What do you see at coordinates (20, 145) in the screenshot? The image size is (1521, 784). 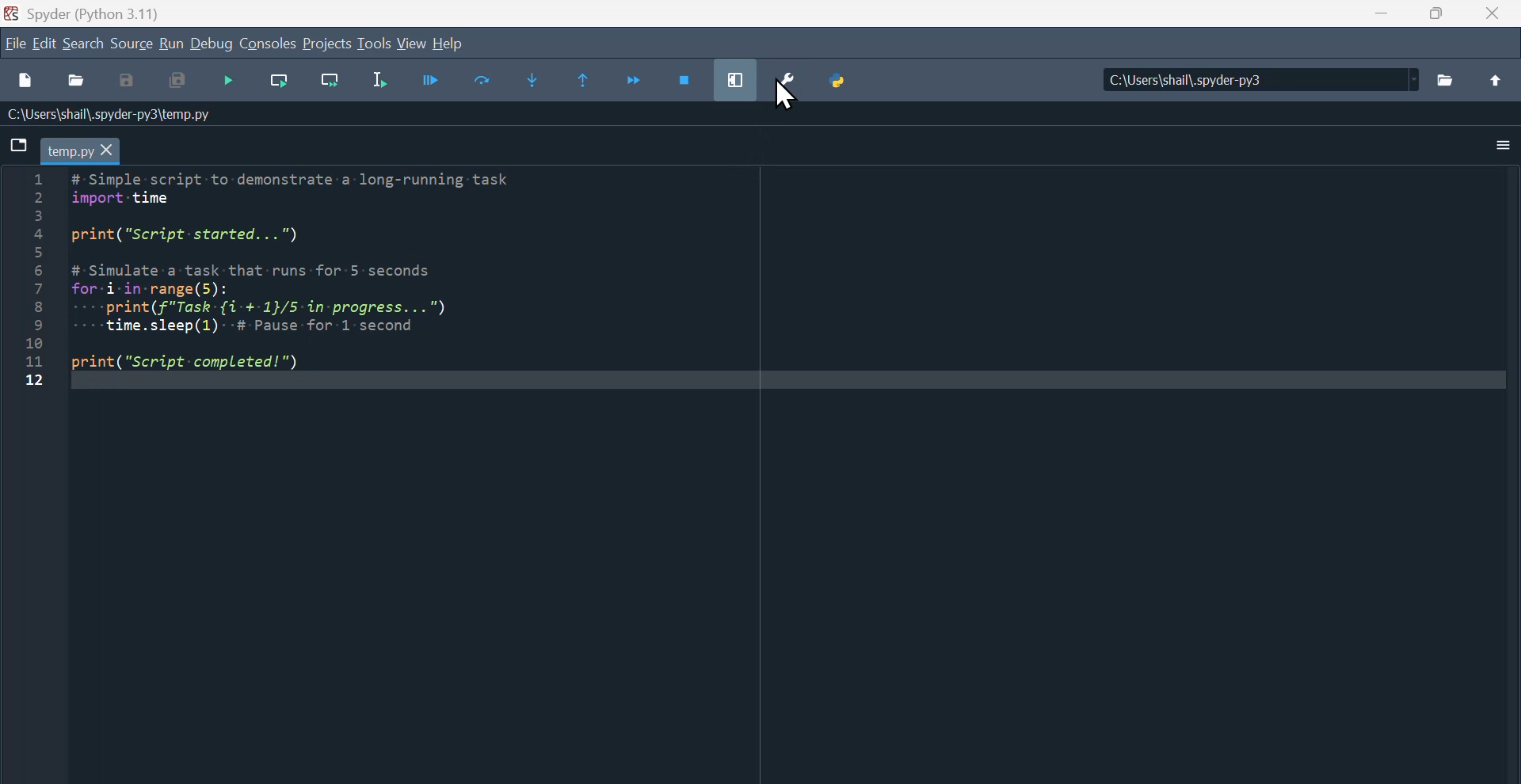 I see `File` at bounding box center [20, 145].